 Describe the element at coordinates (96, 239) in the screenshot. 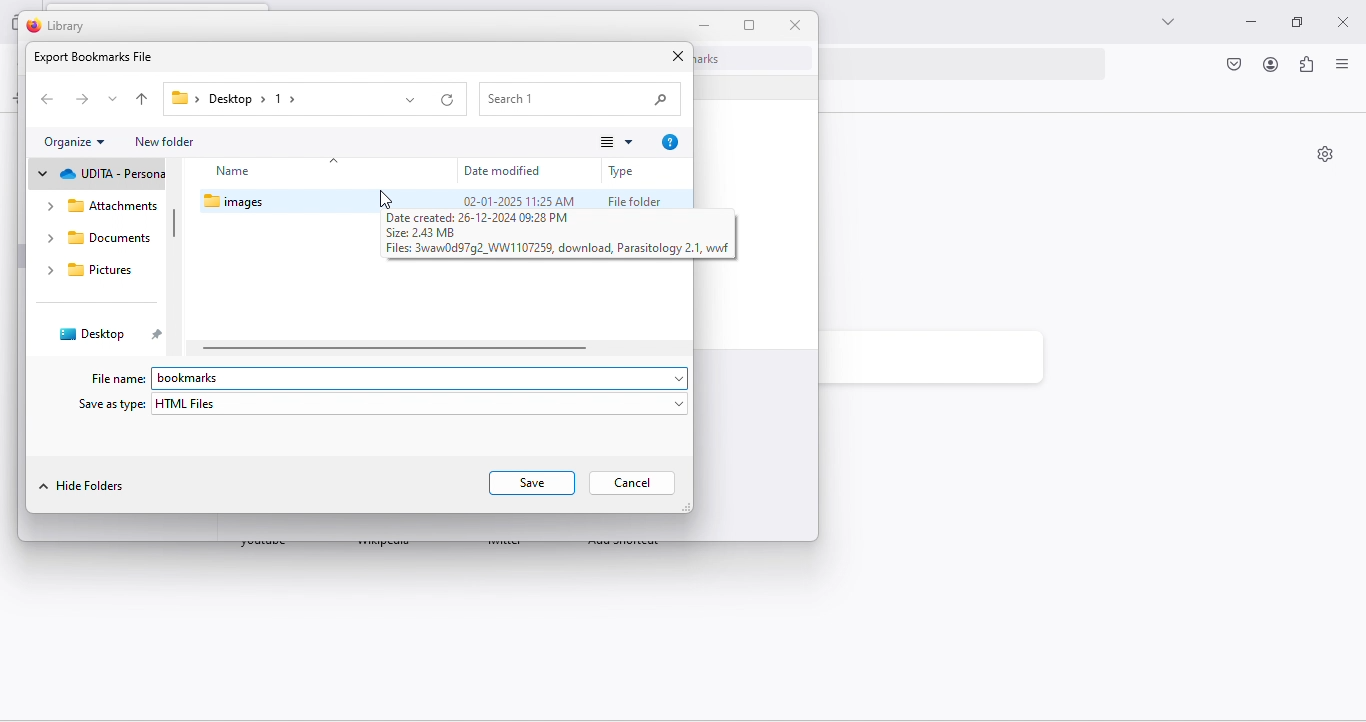

I see `documents` at that location.